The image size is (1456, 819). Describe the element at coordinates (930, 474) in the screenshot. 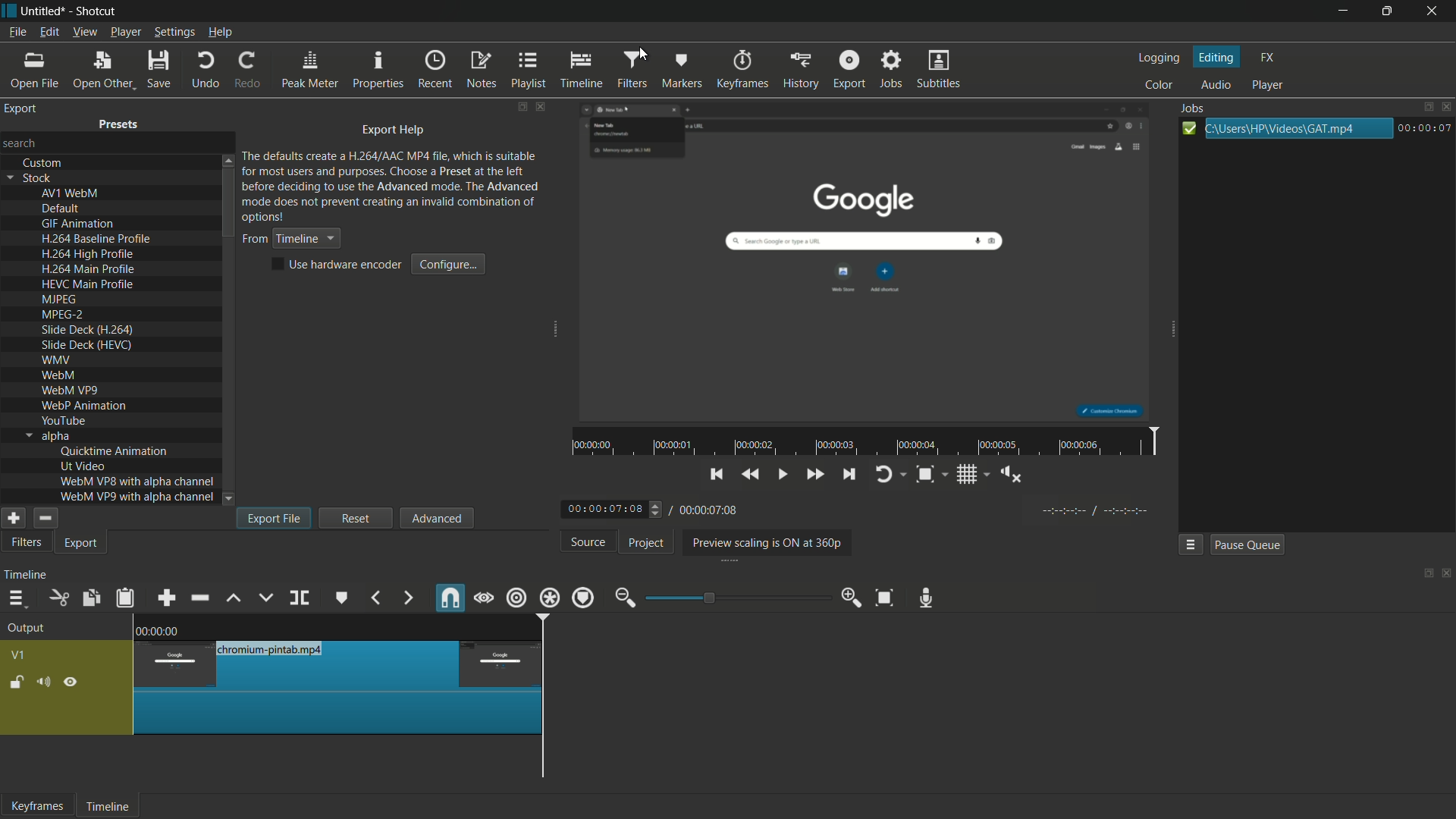

I see `toggle zoom` at that location.